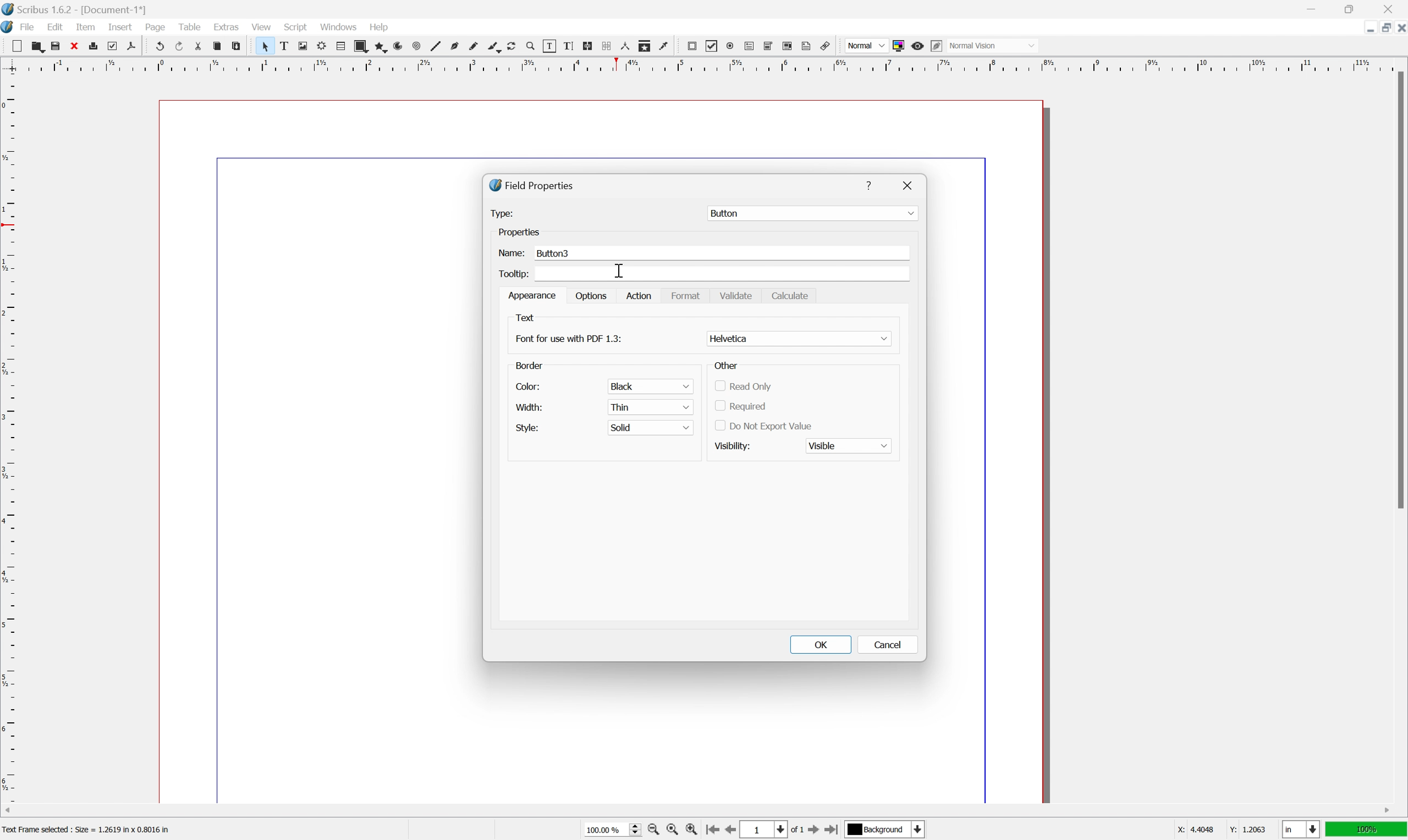 The image size is (1408, 840). I want to click on text annotation, so click(807, 46).